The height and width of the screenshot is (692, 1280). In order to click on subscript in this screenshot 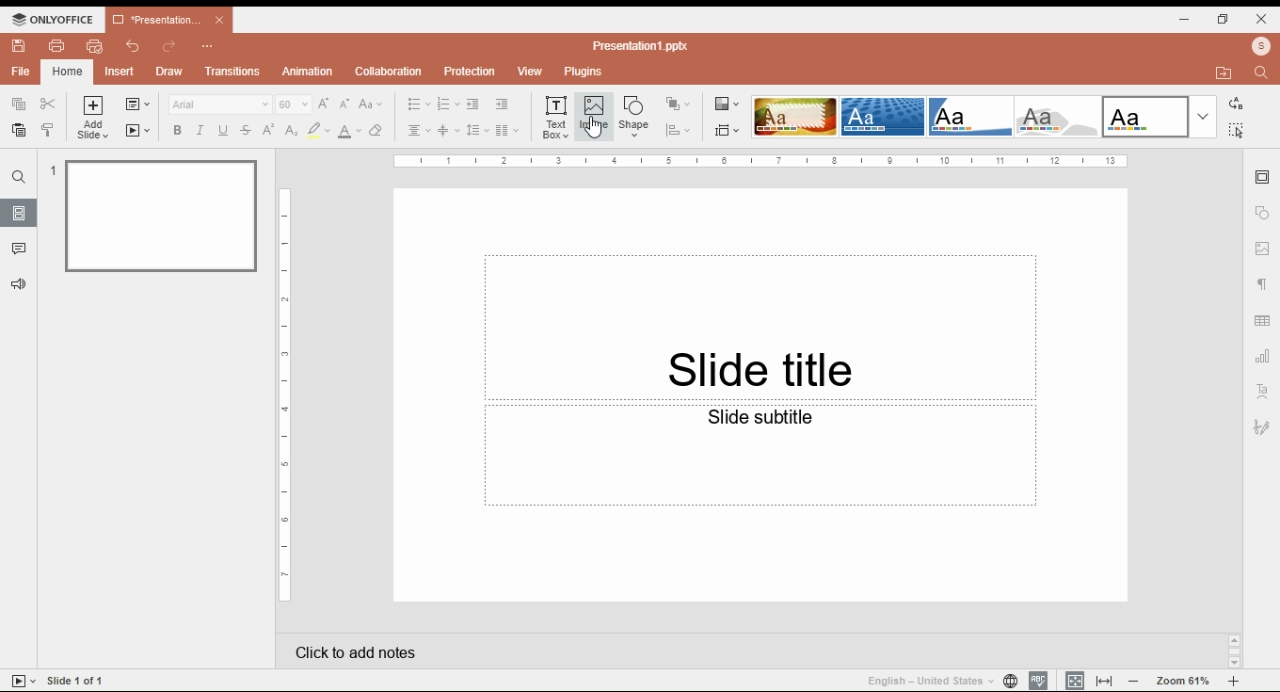, I will do `click(291, 131)`.